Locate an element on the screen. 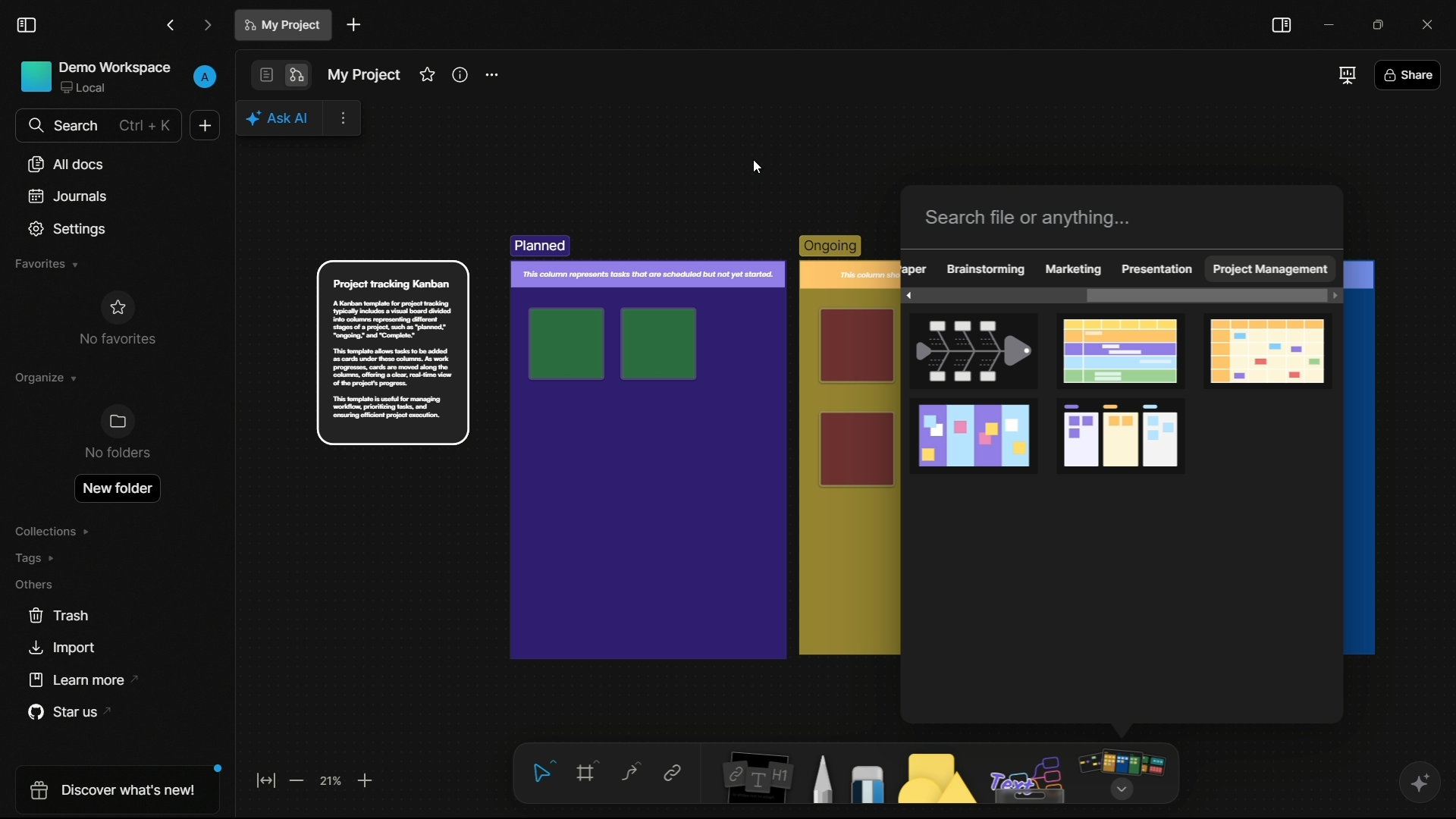  maximize or restore is located at coordinates (1384, 24).